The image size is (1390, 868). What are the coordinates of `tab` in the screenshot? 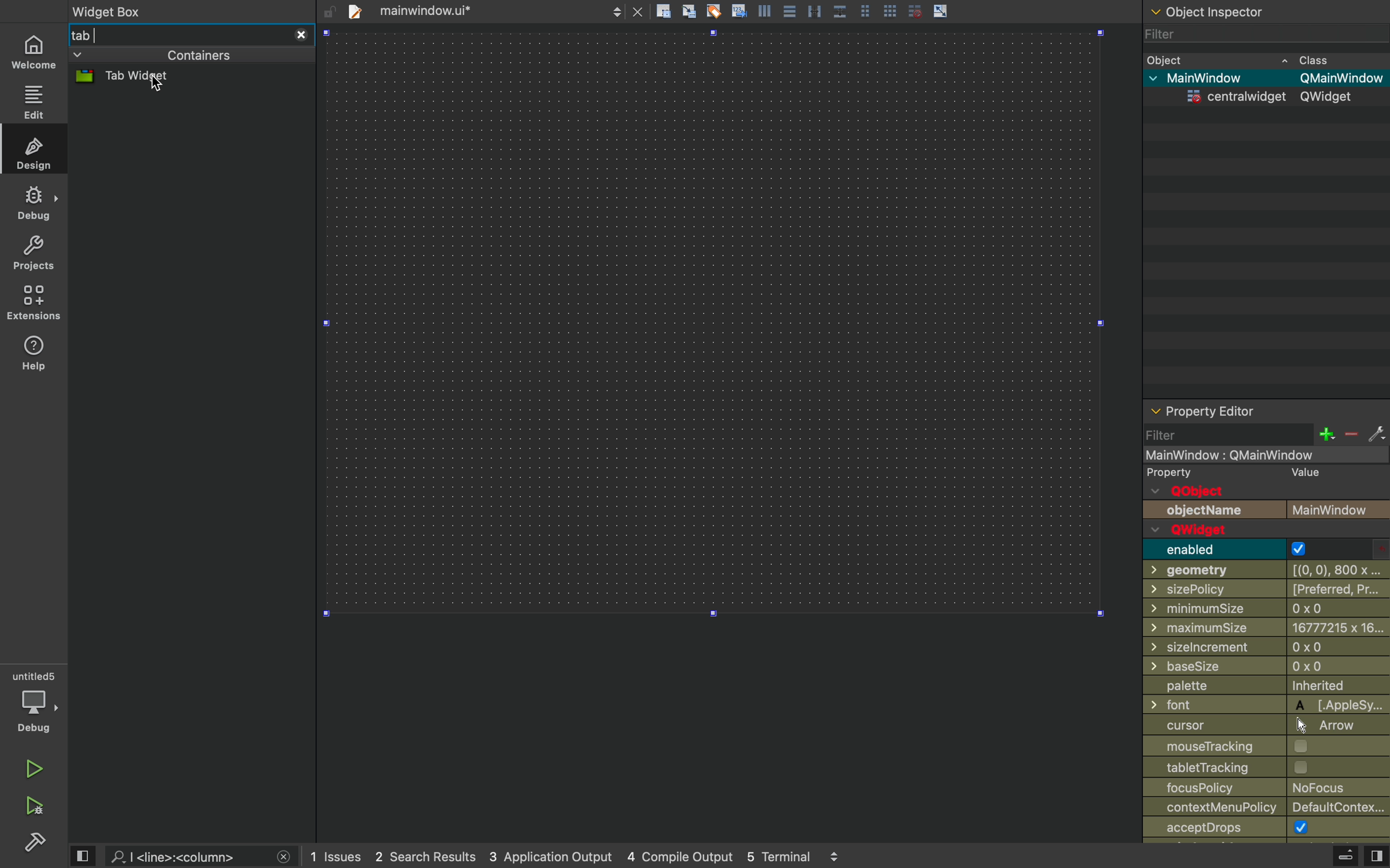 It's located at (465, 10).